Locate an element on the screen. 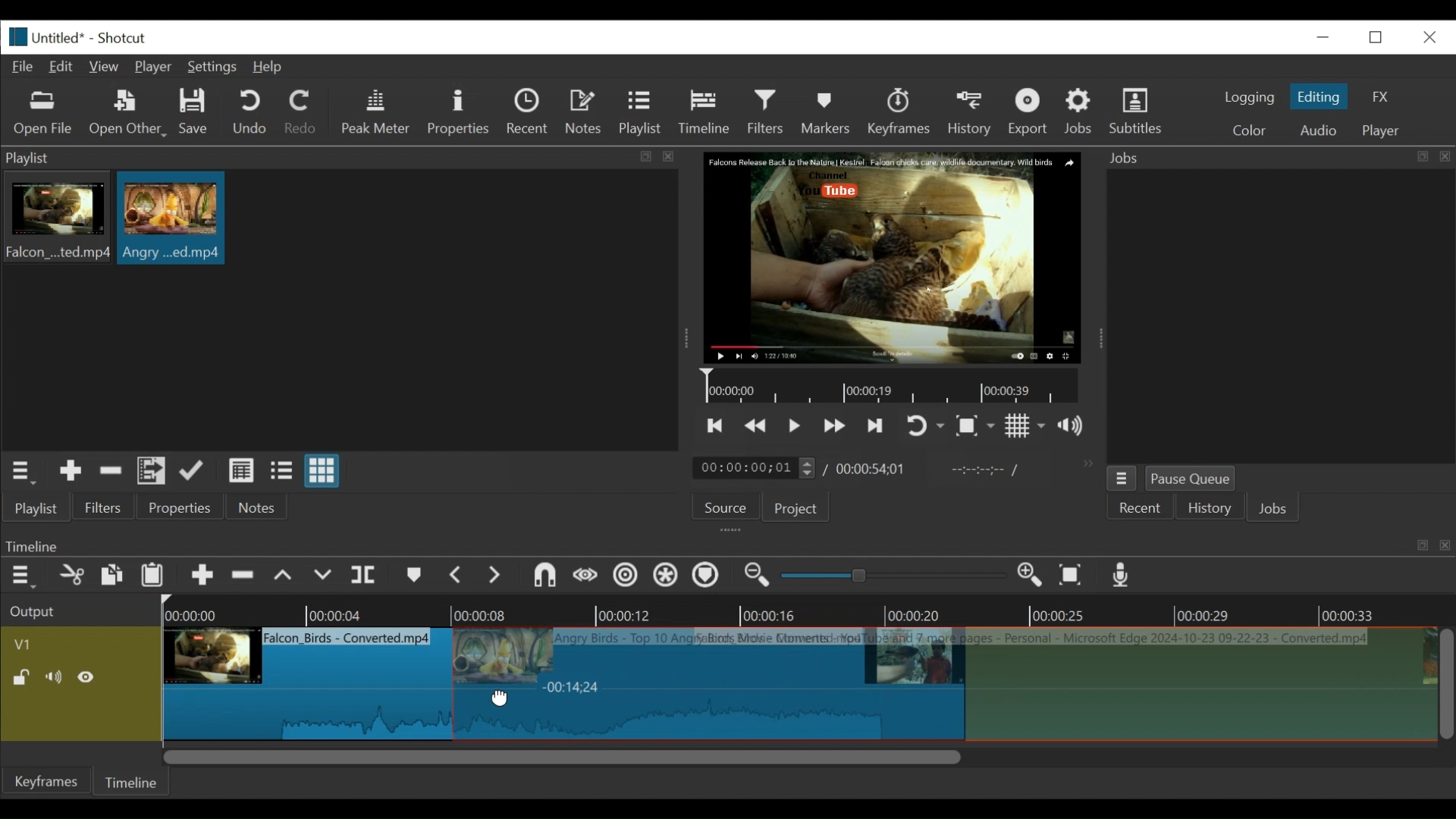 The width and height of the screenshot is (1456, 819). Player is located at coordinates (157, 68).